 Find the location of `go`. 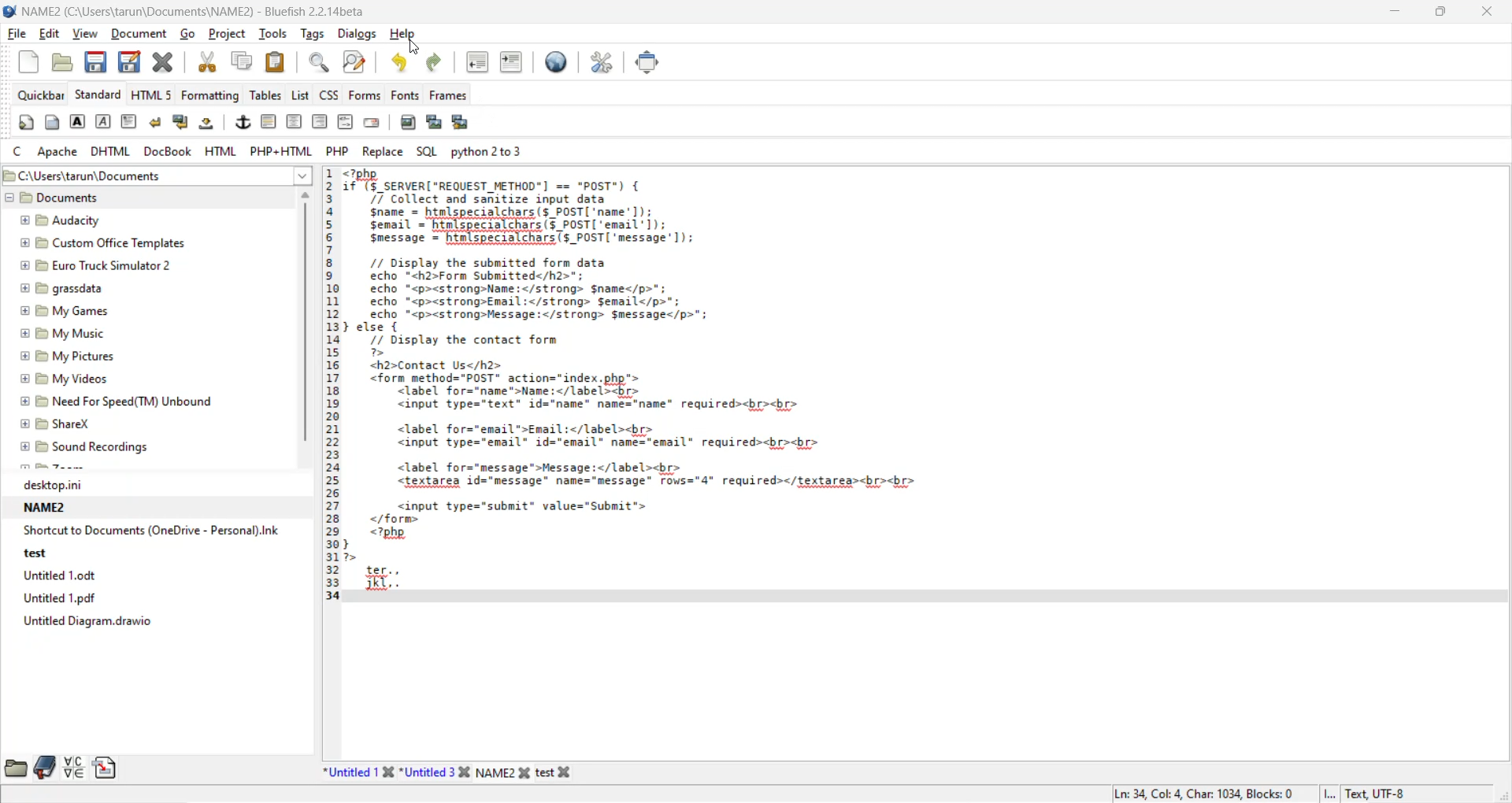

go is located at coordinates (191, 33).